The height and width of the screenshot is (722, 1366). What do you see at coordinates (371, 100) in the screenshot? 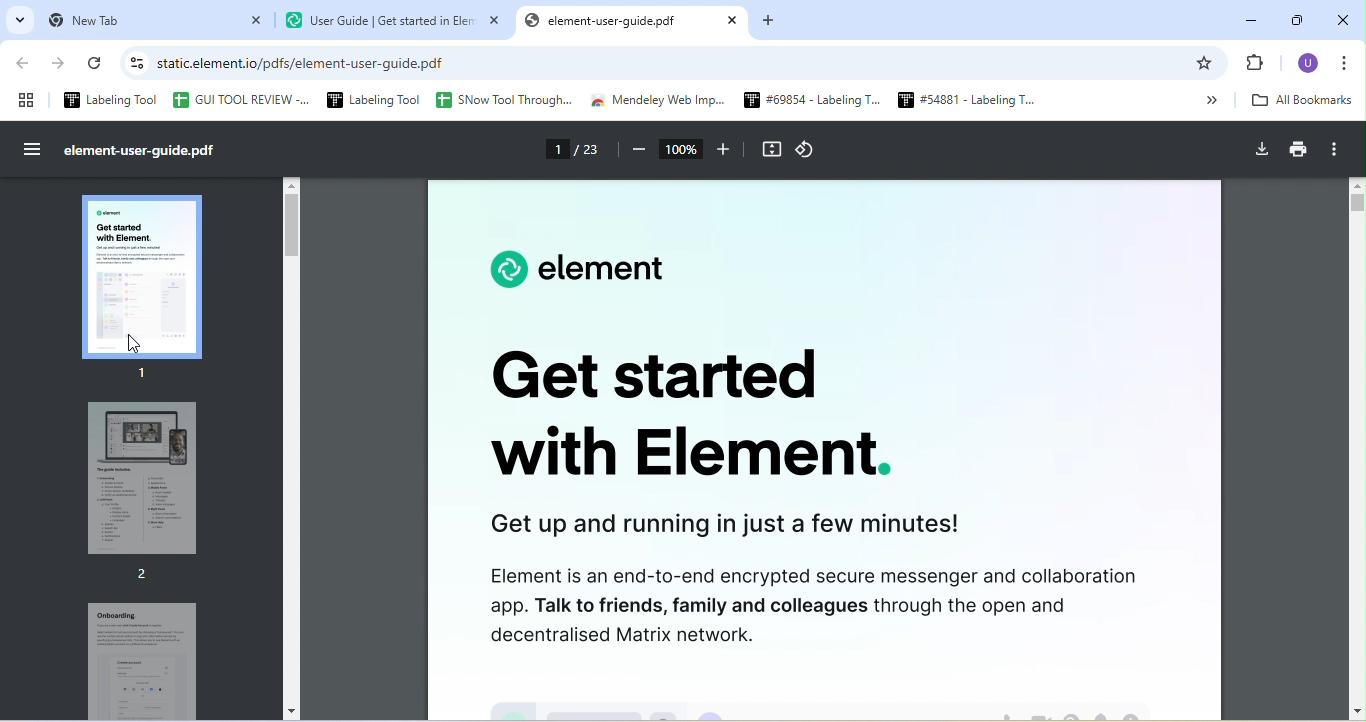
I see `Labeling Tool` at bounding box center [371, 100].